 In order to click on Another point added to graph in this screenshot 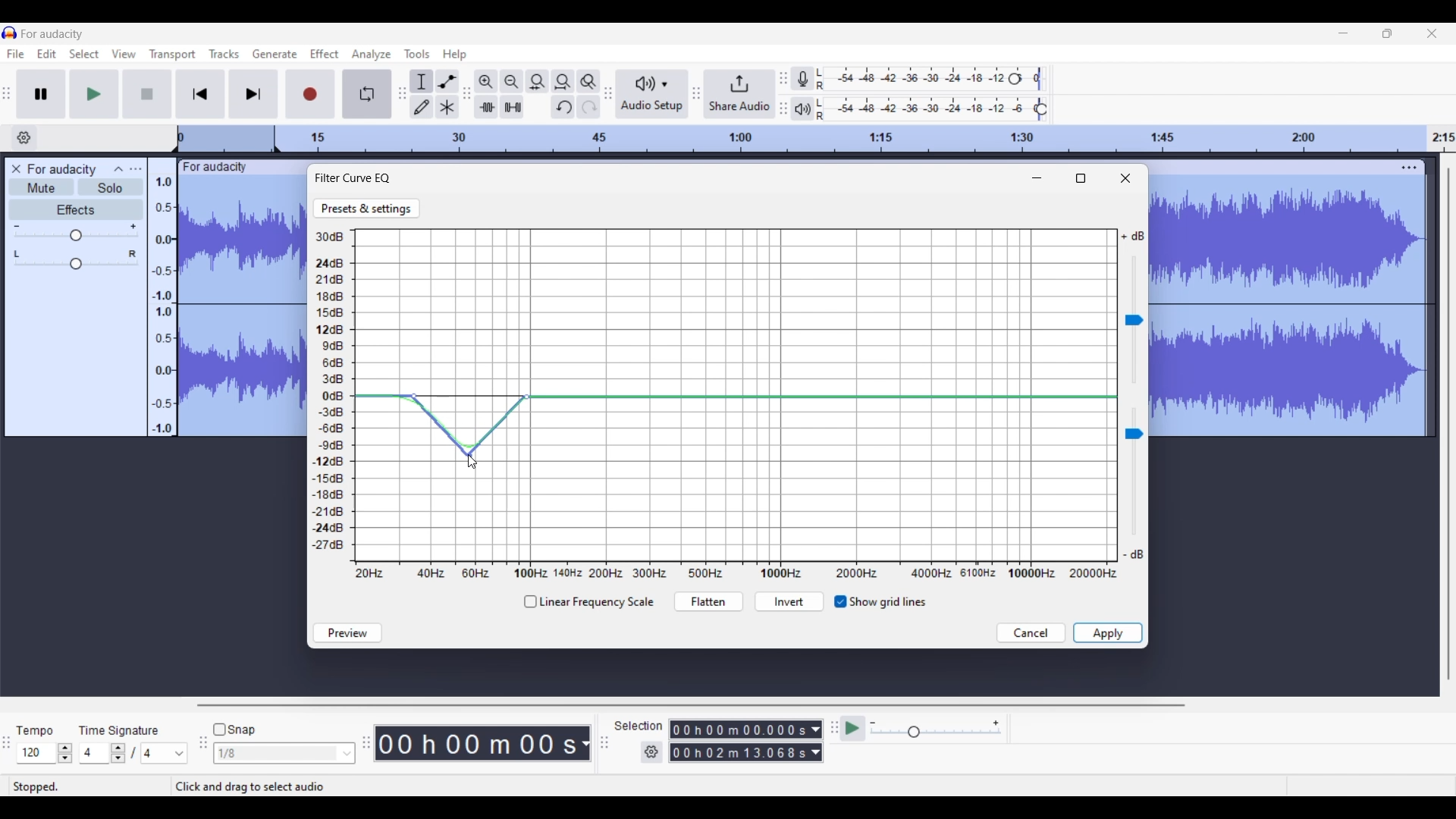, I will do `click(527, 397)`.